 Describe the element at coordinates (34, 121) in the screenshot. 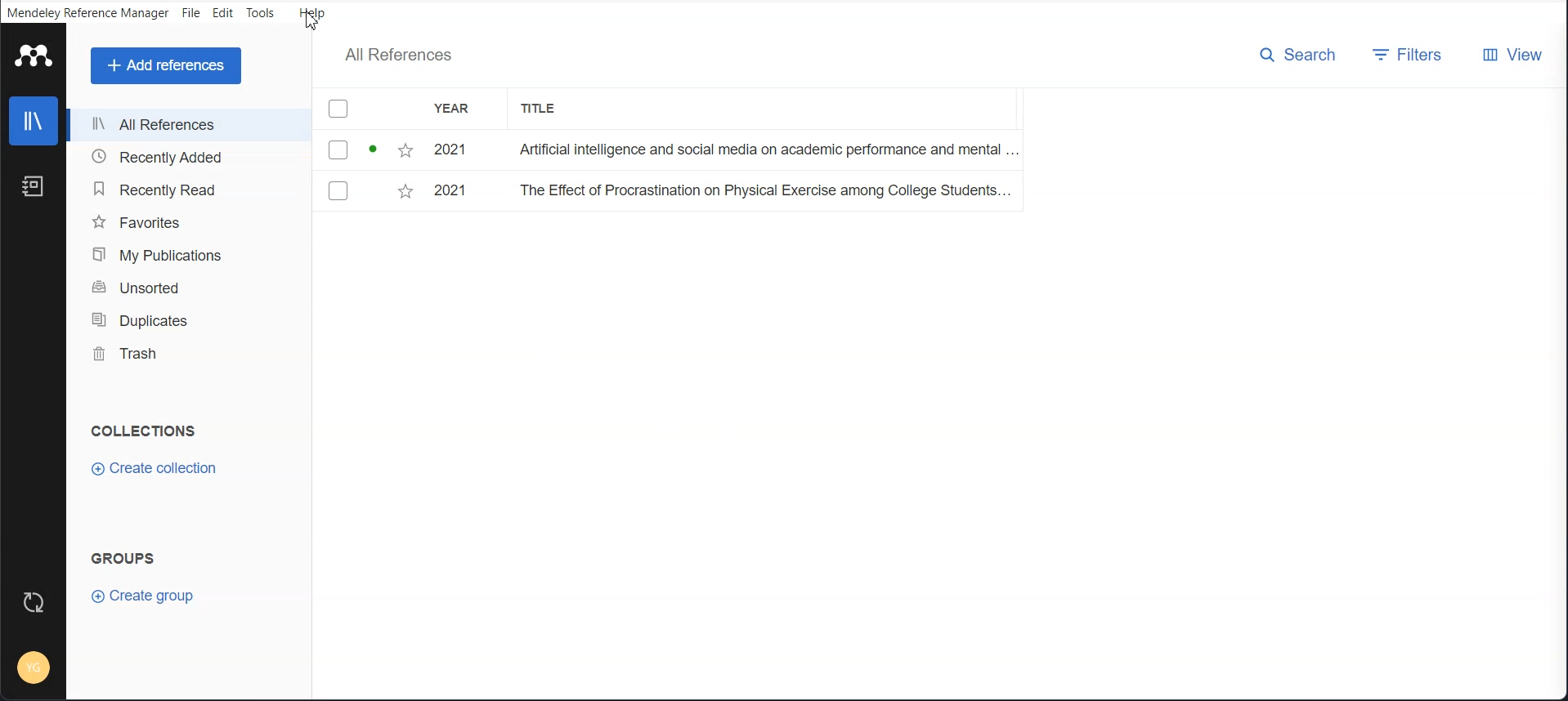

I see `Library` at that location.